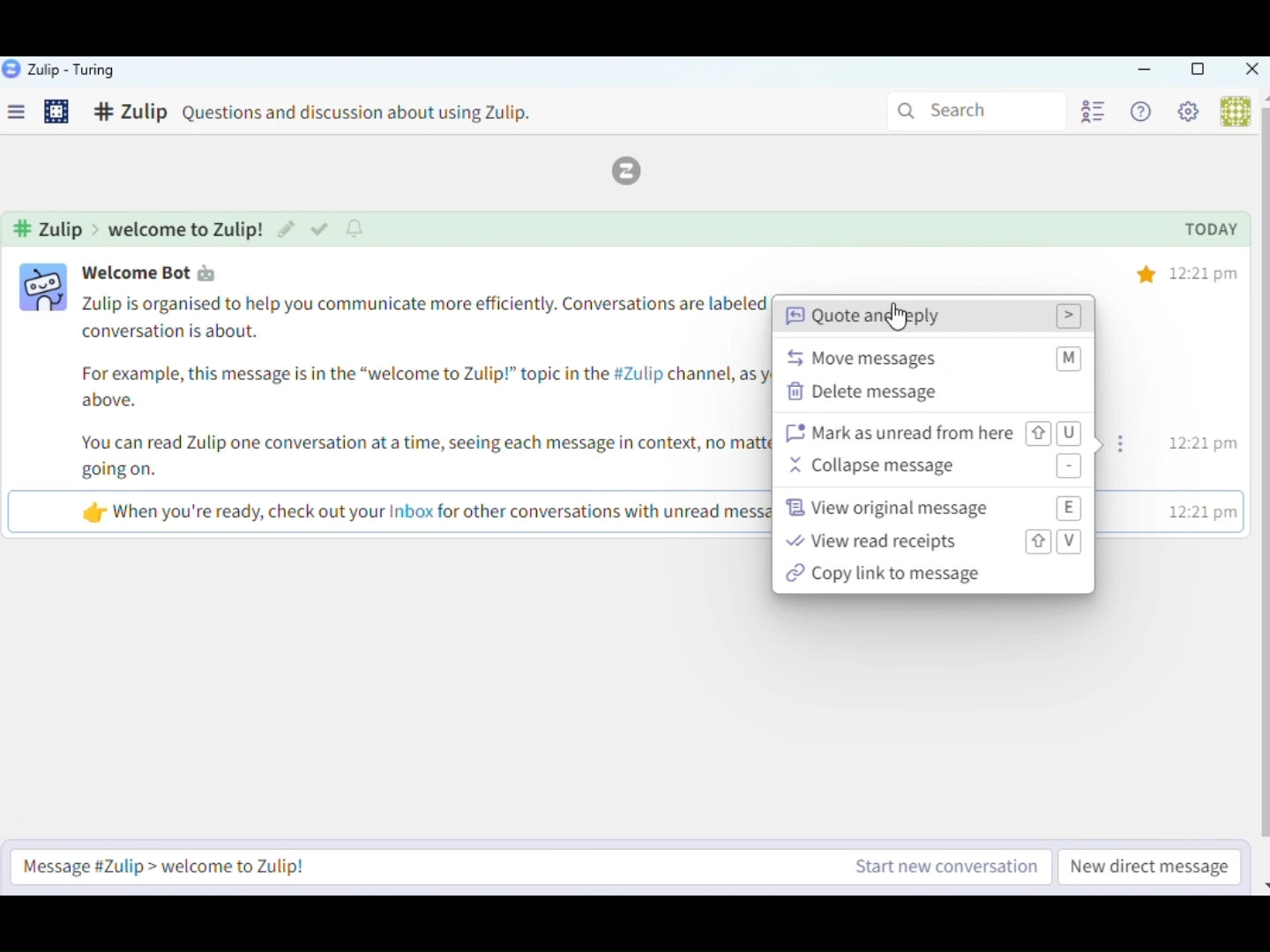 Image resolution: width=1270 pixels, height=952 pixels. I want to click on Settings, so click(1192, 115).